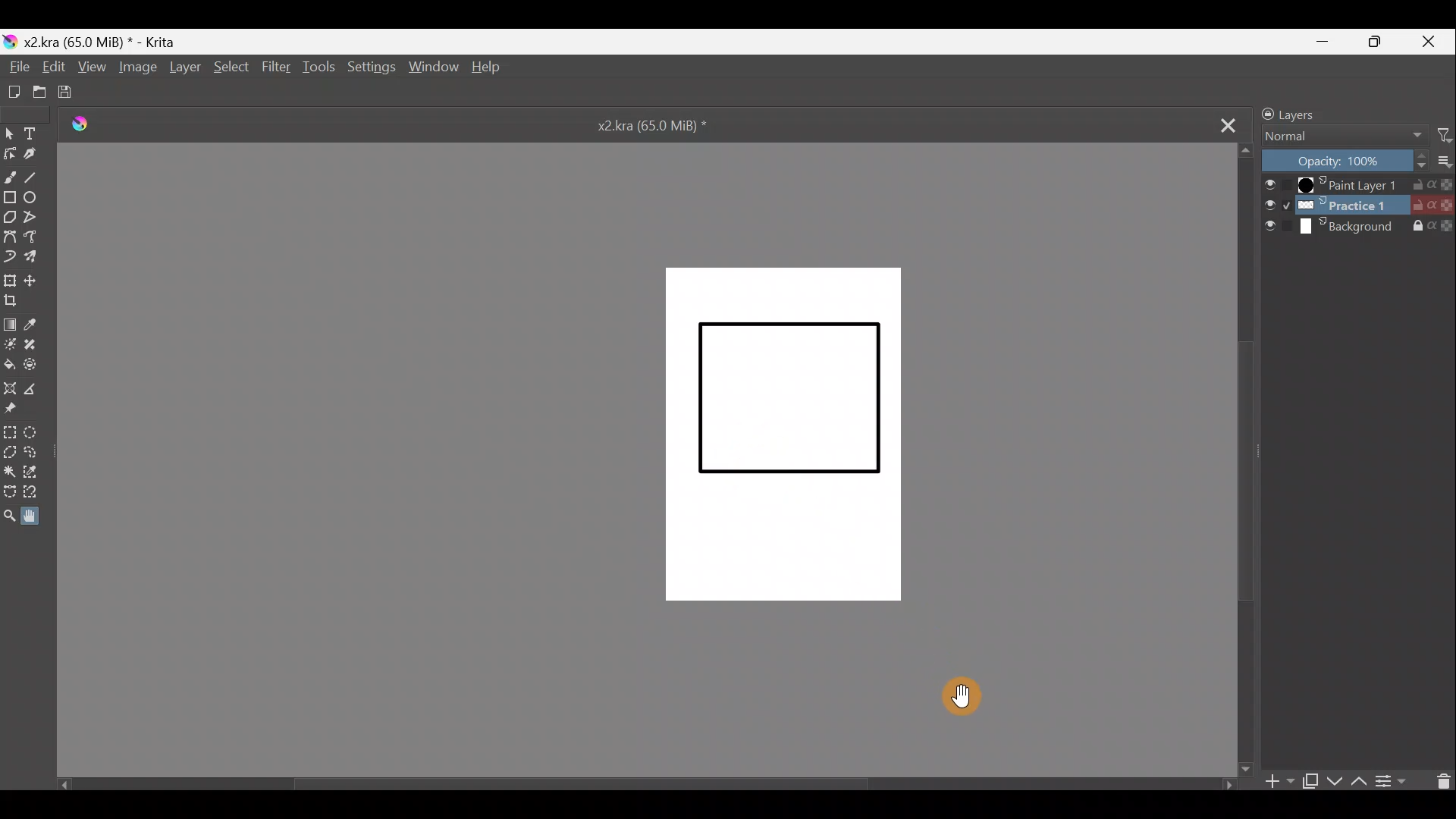 The width and height of the screenshot is (1456, 819). What do you see at coordinates (38, 324) in the screenshot?
I see `Sample a colour from the image/current layer` at bounding box center [38, 324].